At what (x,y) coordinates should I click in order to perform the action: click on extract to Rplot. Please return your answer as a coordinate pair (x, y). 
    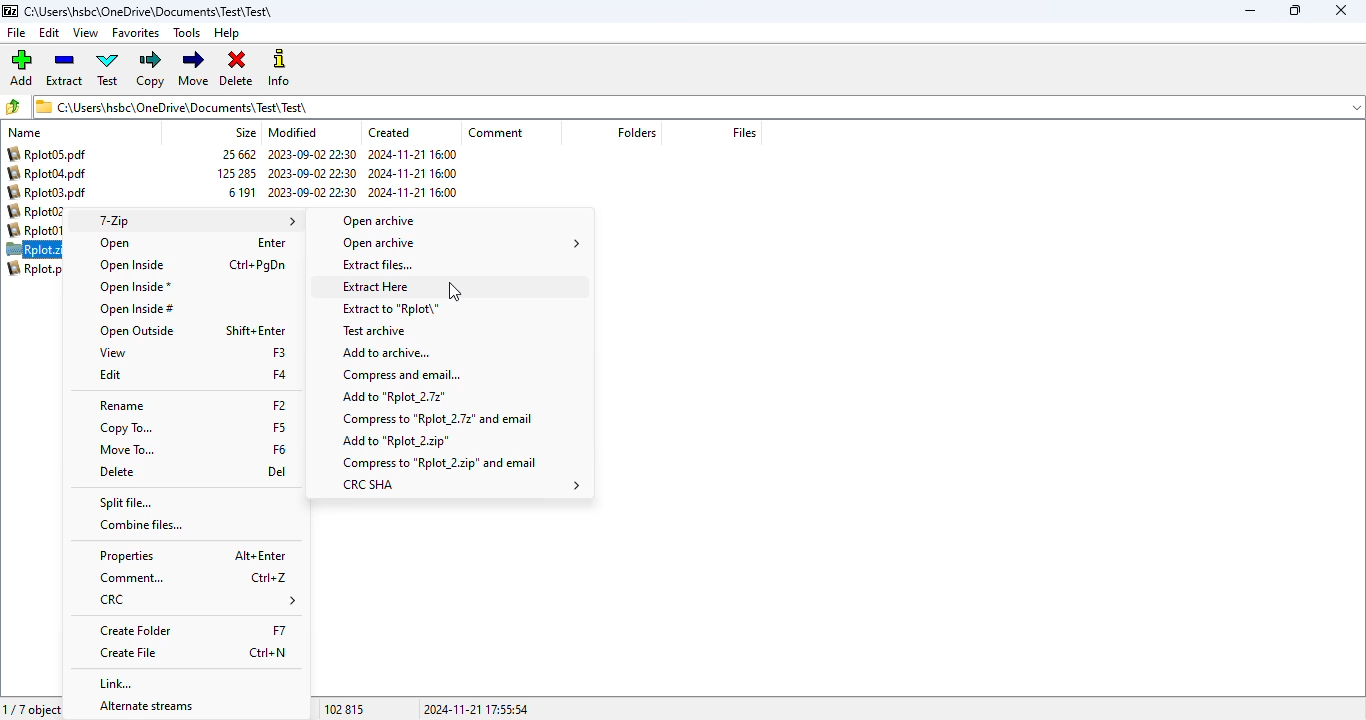
    Looking at the image, I should click on (390, 308).